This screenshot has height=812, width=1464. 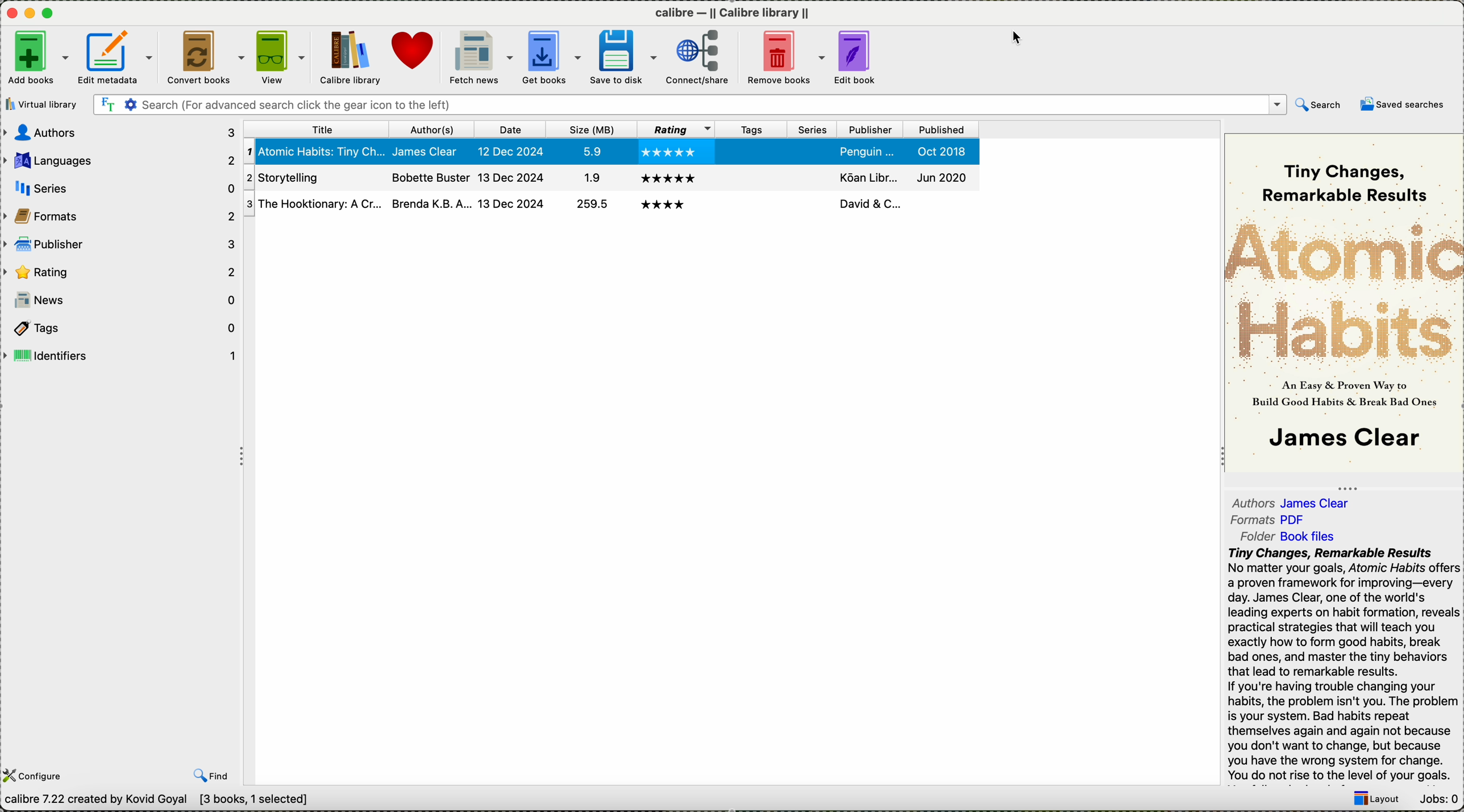 What do you see at coordinates (430, 203) in the screenshot?
I see `bobette buster` at bounding box center [430, 203].